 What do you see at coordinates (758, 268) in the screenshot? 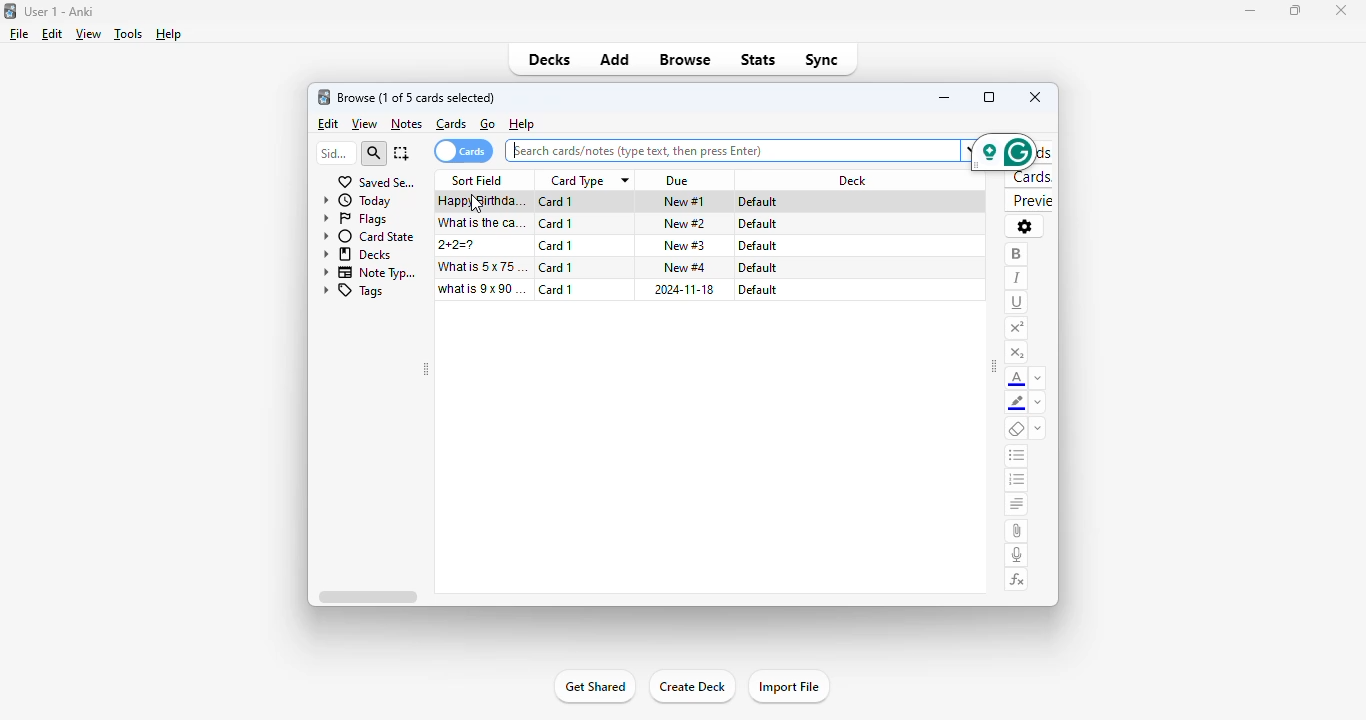
I see `default` at bounding box center [758, 268].